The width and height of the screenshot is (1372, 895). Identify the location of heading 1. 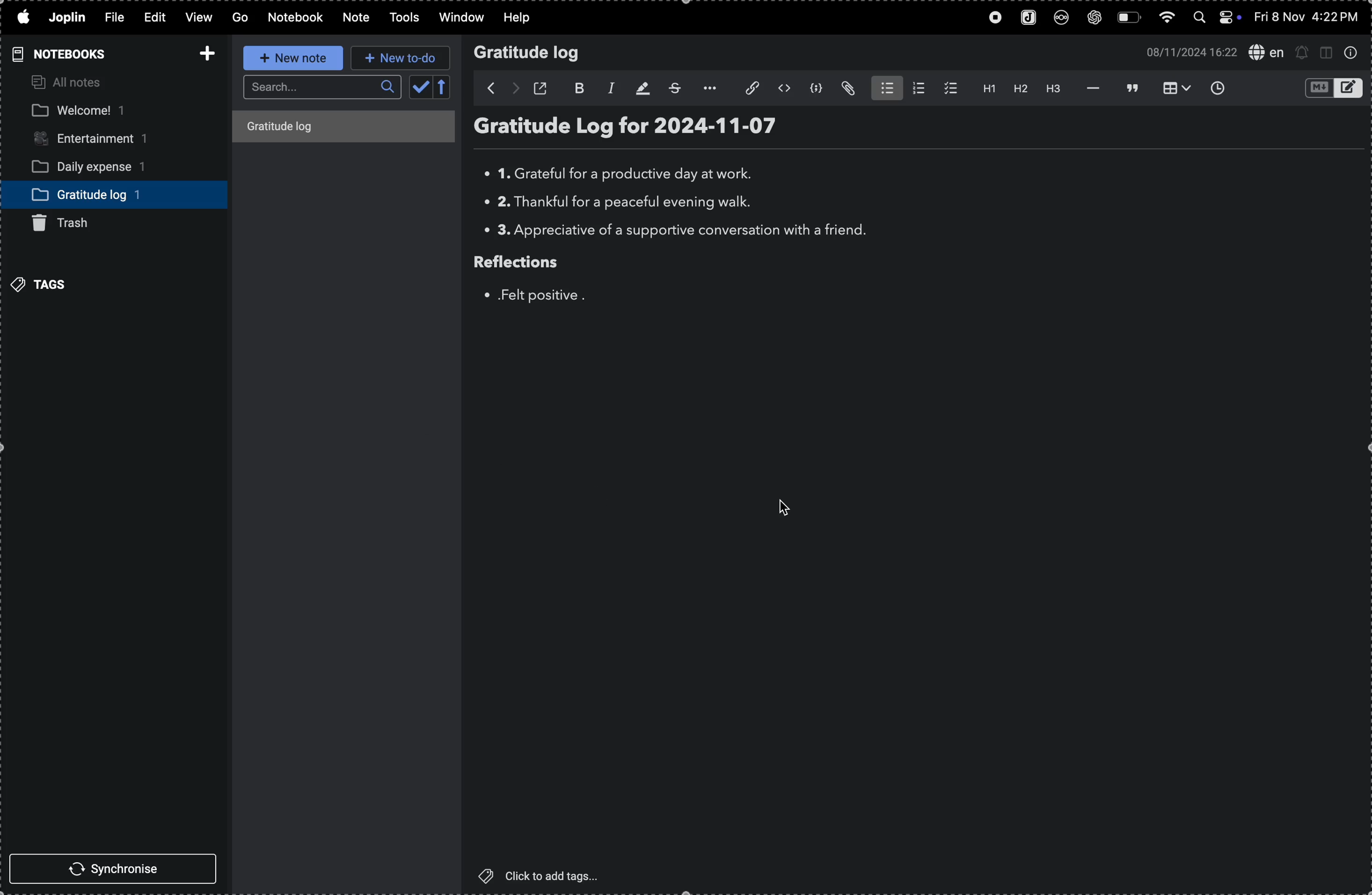
(986, 88).